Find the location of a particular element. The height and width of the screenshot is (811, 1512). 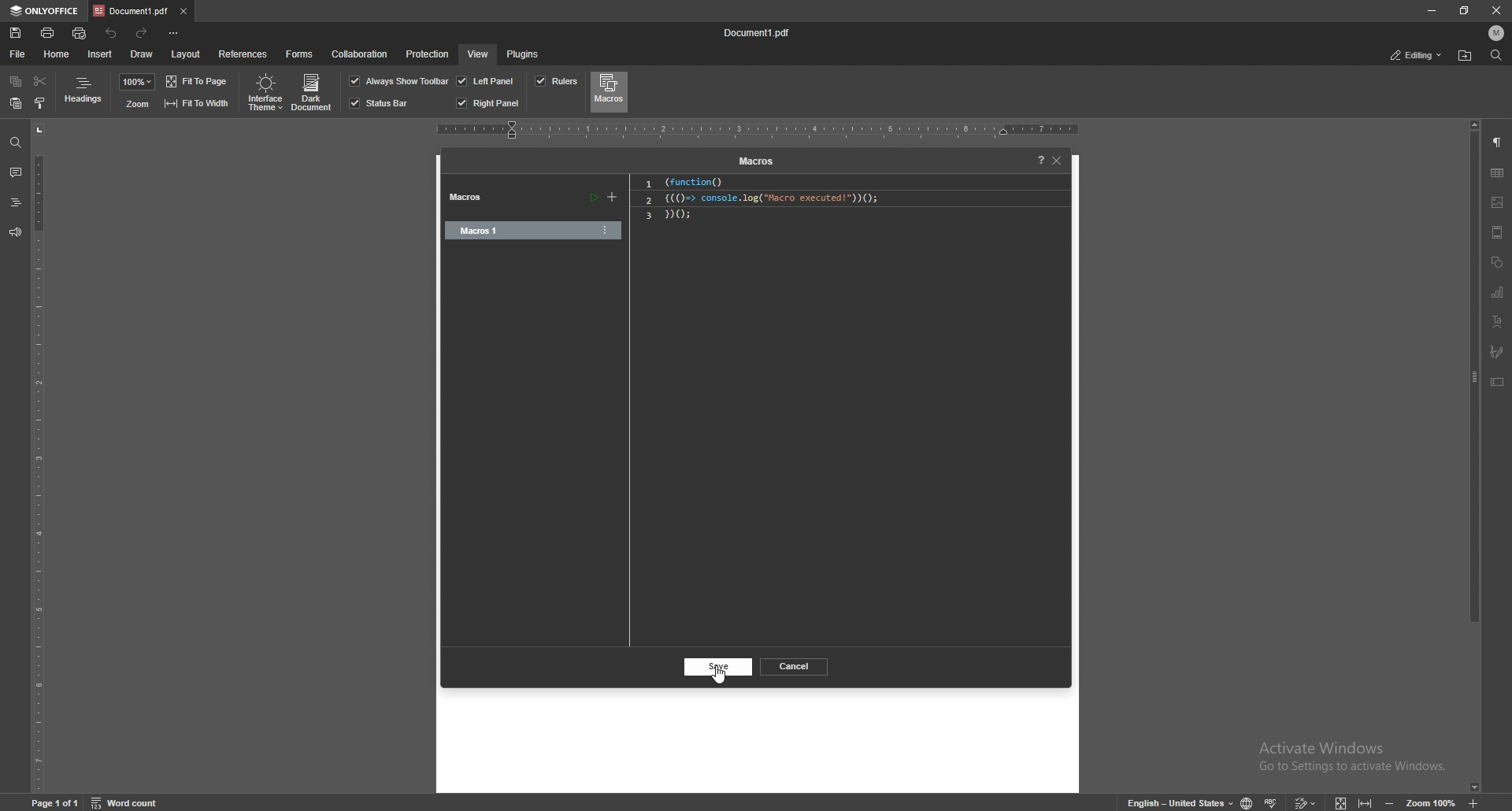

print is located at coordinates (48, 31).